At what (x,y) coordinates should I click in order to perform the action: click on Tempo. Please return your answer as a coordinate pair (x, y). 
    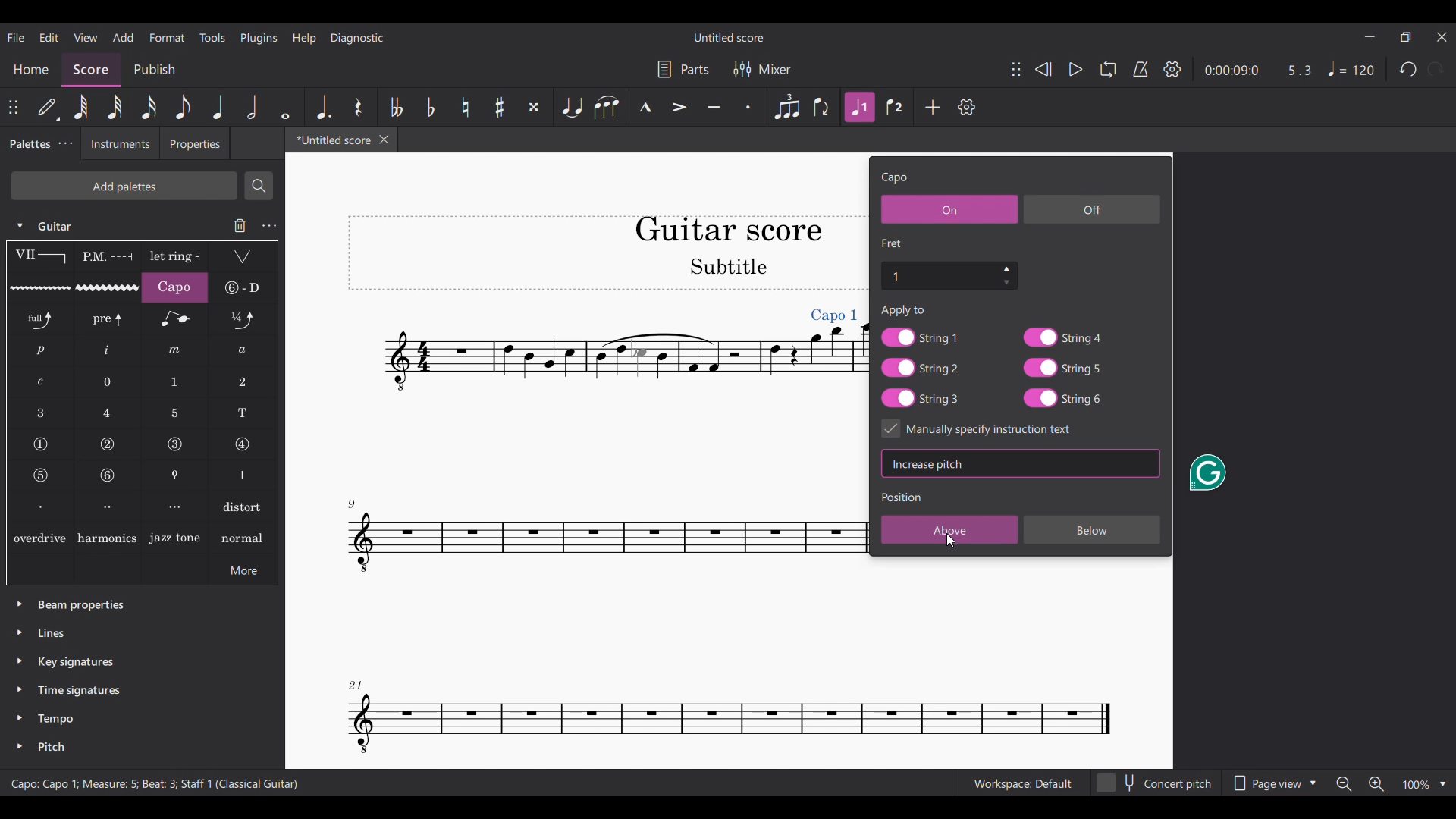
    Looking at the image, I should click on (1350, 68).